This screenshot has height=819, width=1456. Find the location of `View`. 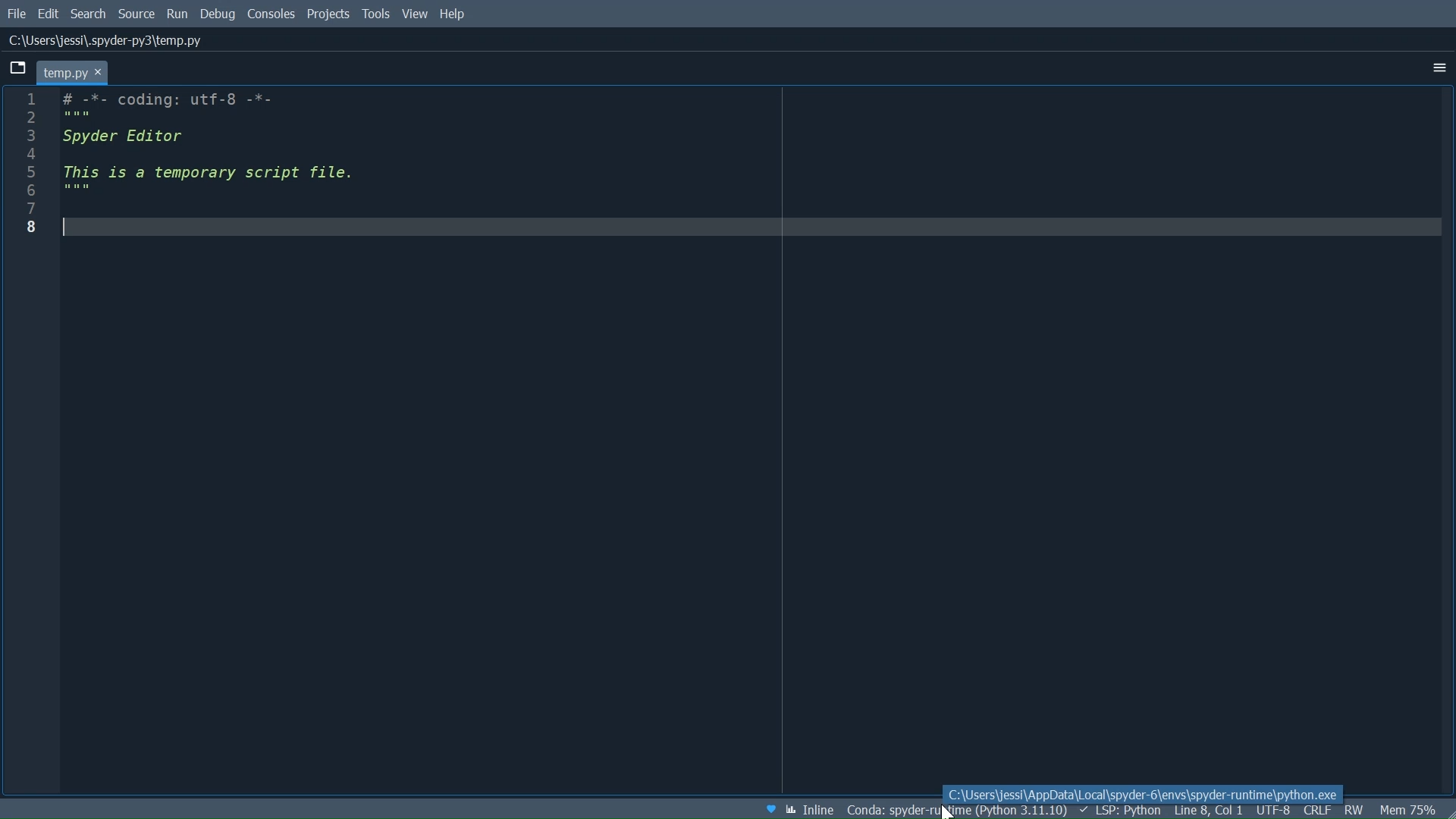

View is located at coordinates (413, 14).